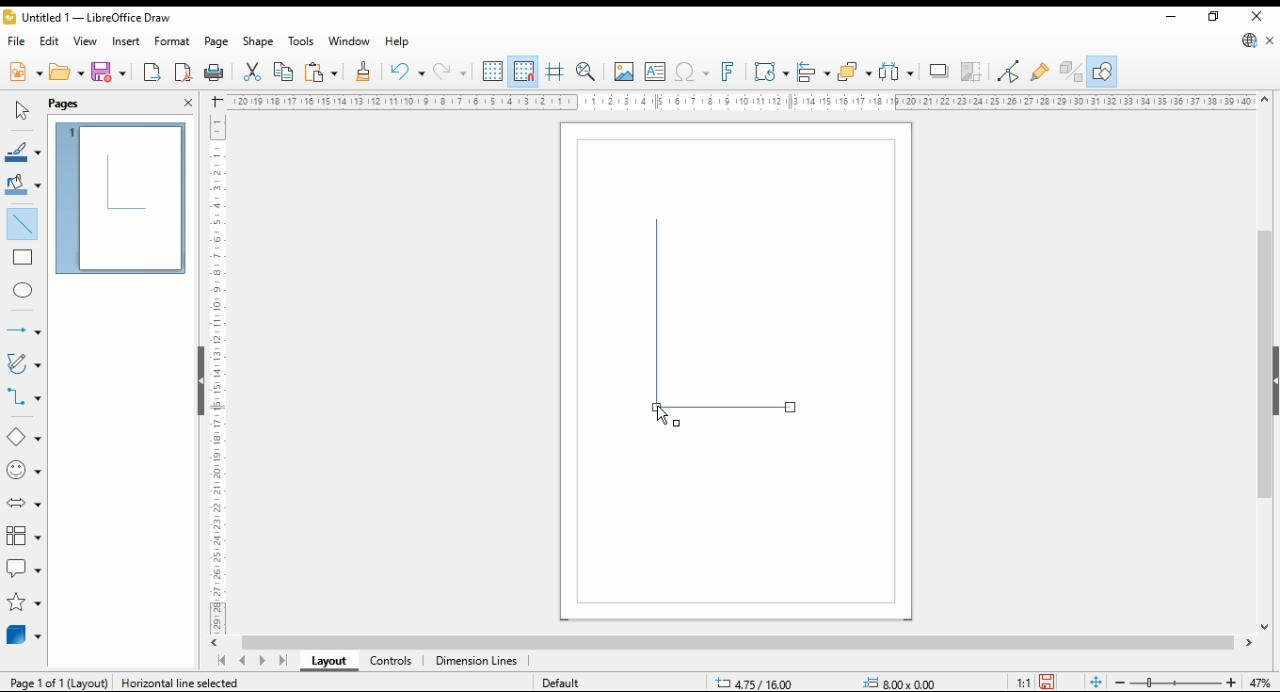 The image size is (1280, 692). Describe the element at coordinates (17, 42) in the screenshot. I see `file` at that location.